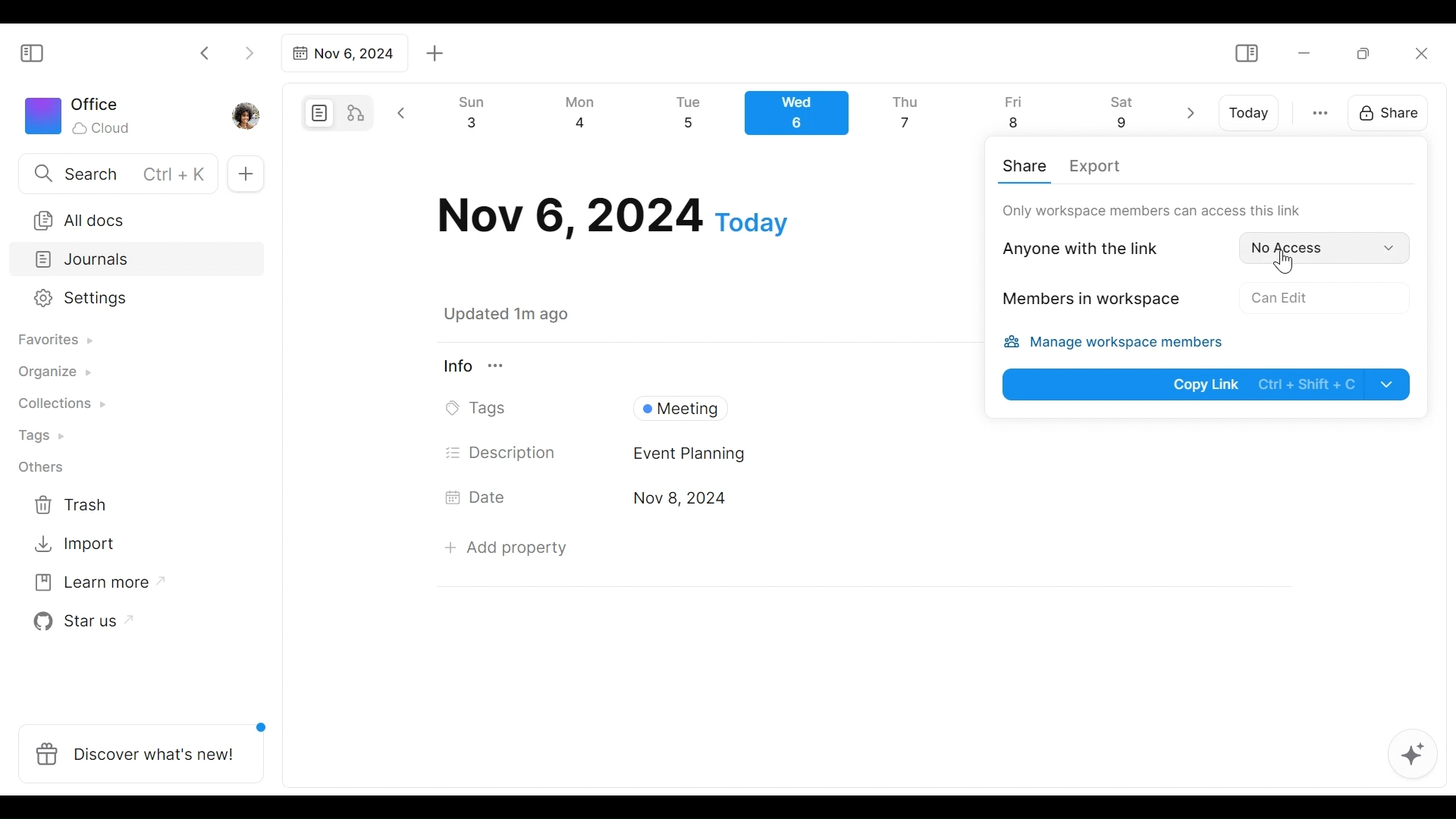 Image resolution: width=1456 pixels, height=819 pixels. What do you see at coordinates (1122, 344) in the screenshot?
I see `Manage workspace members` at bounding box center [1122, 344].